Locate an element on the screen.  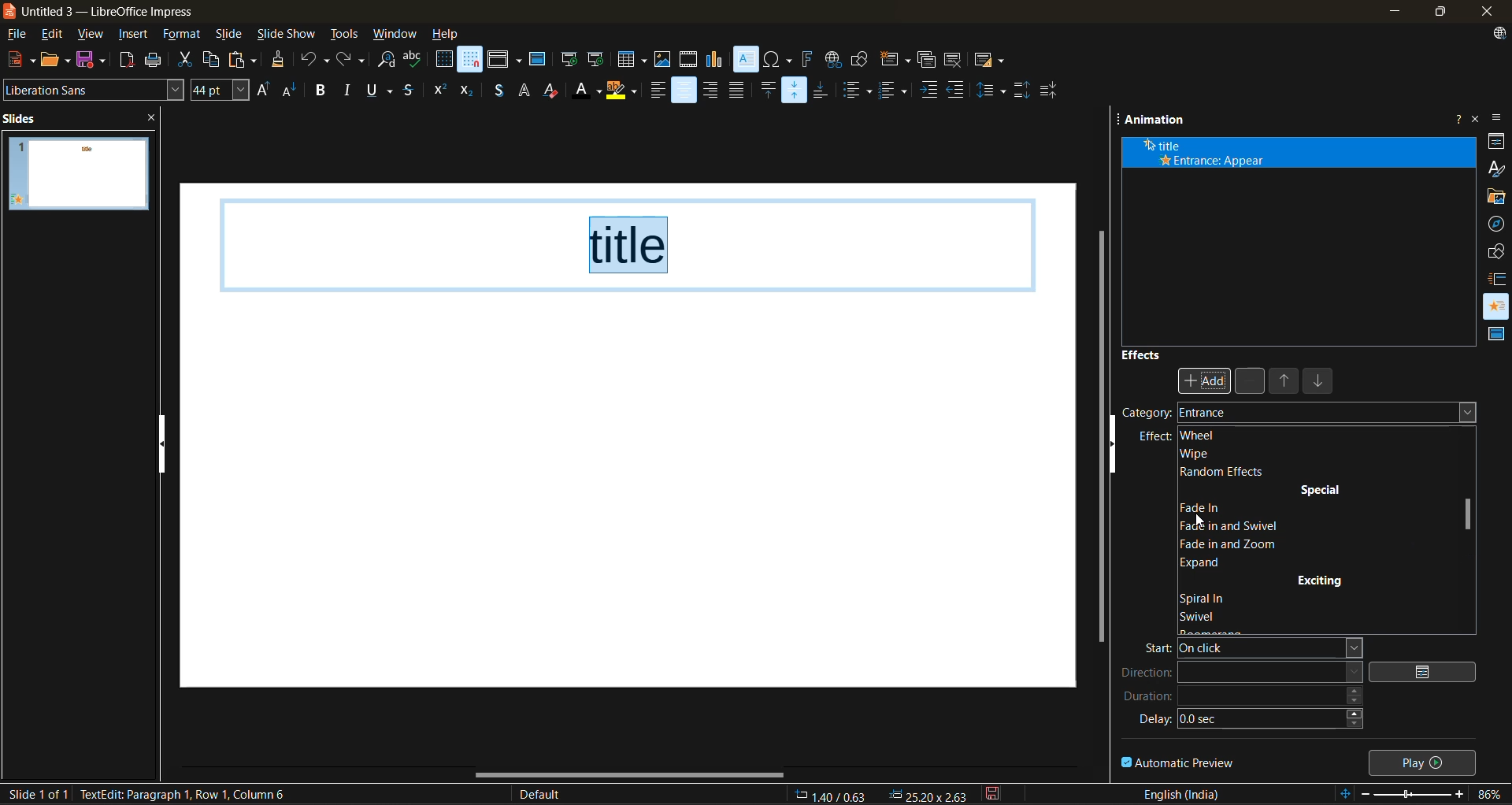
print is located at coordinates (158, 60).